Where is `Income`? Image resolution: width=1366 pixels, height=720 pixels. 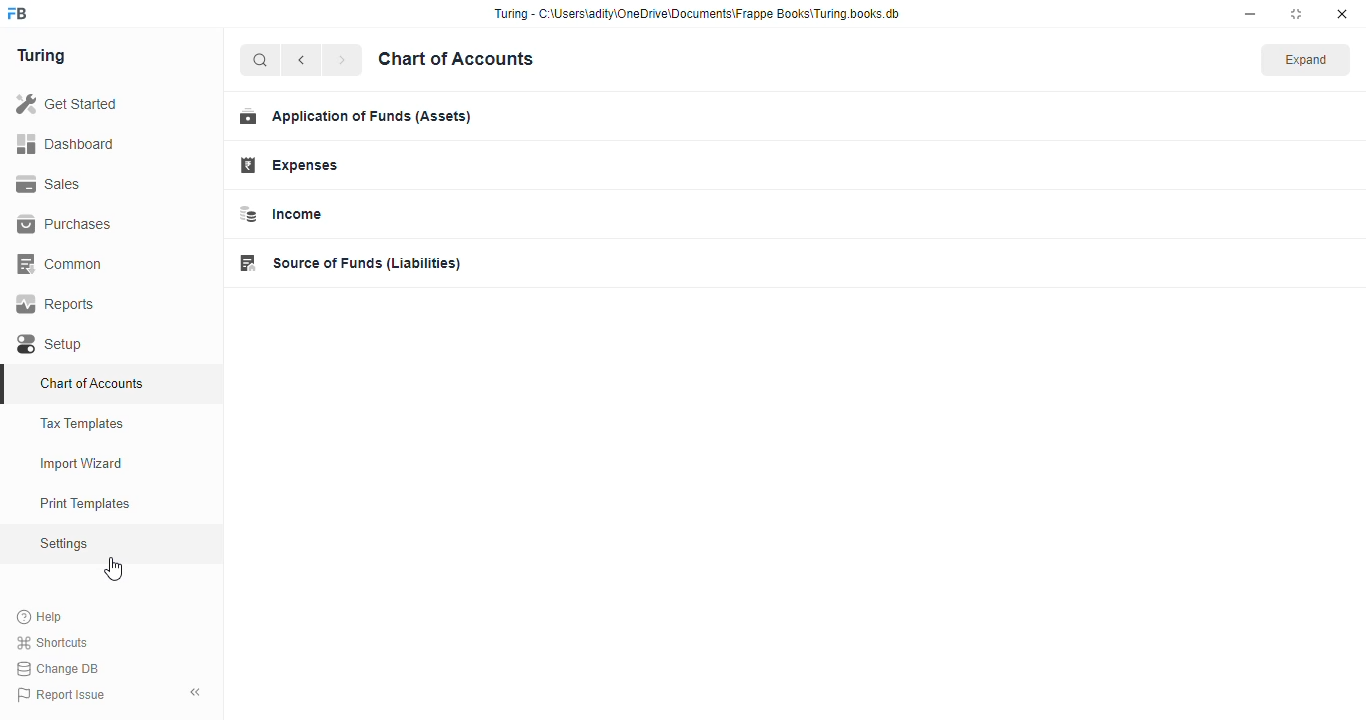 Income is located at coordinates (564, 216).